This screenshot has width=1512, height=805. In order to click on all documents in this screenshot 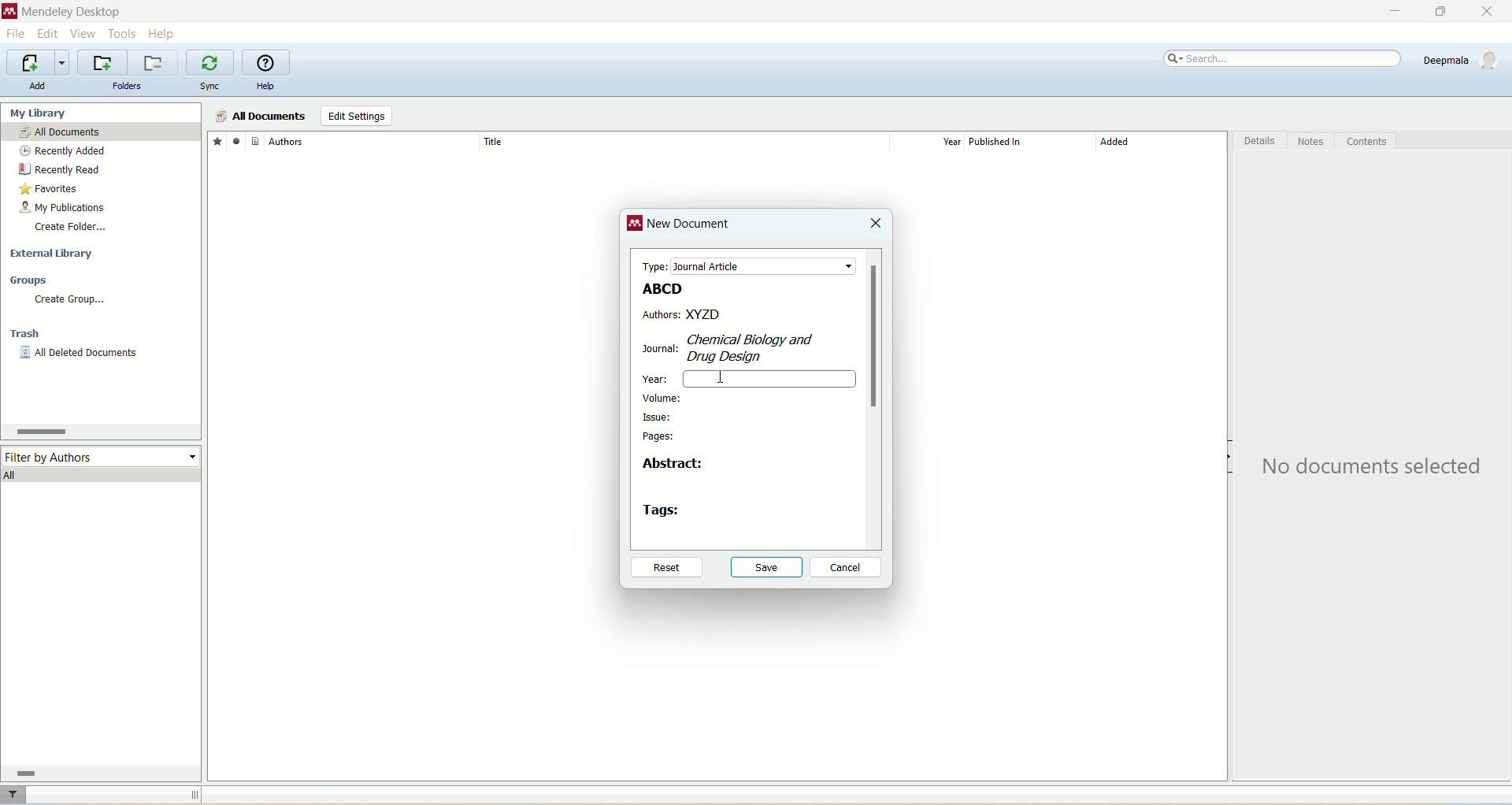, I will do `click(260, 117)`.